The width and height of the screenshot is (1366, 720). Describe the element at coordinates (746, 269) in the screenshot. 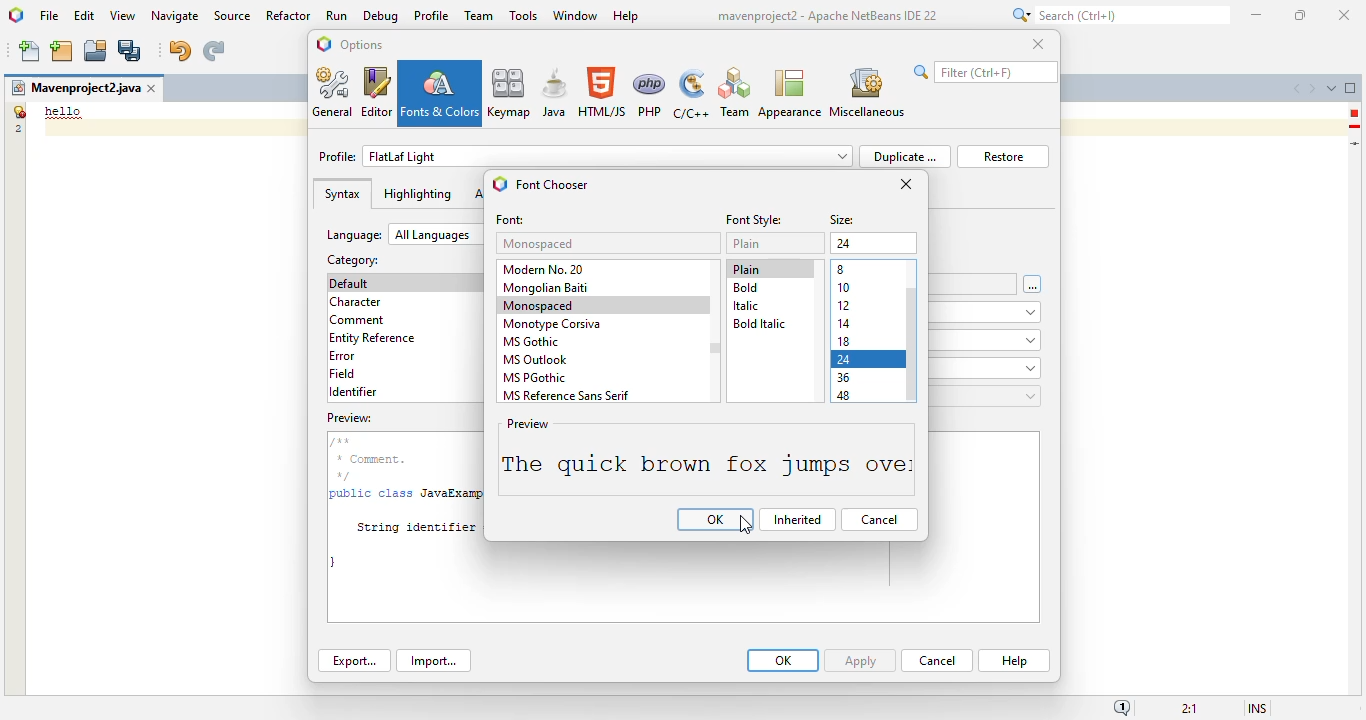

I see `plain` at that location.